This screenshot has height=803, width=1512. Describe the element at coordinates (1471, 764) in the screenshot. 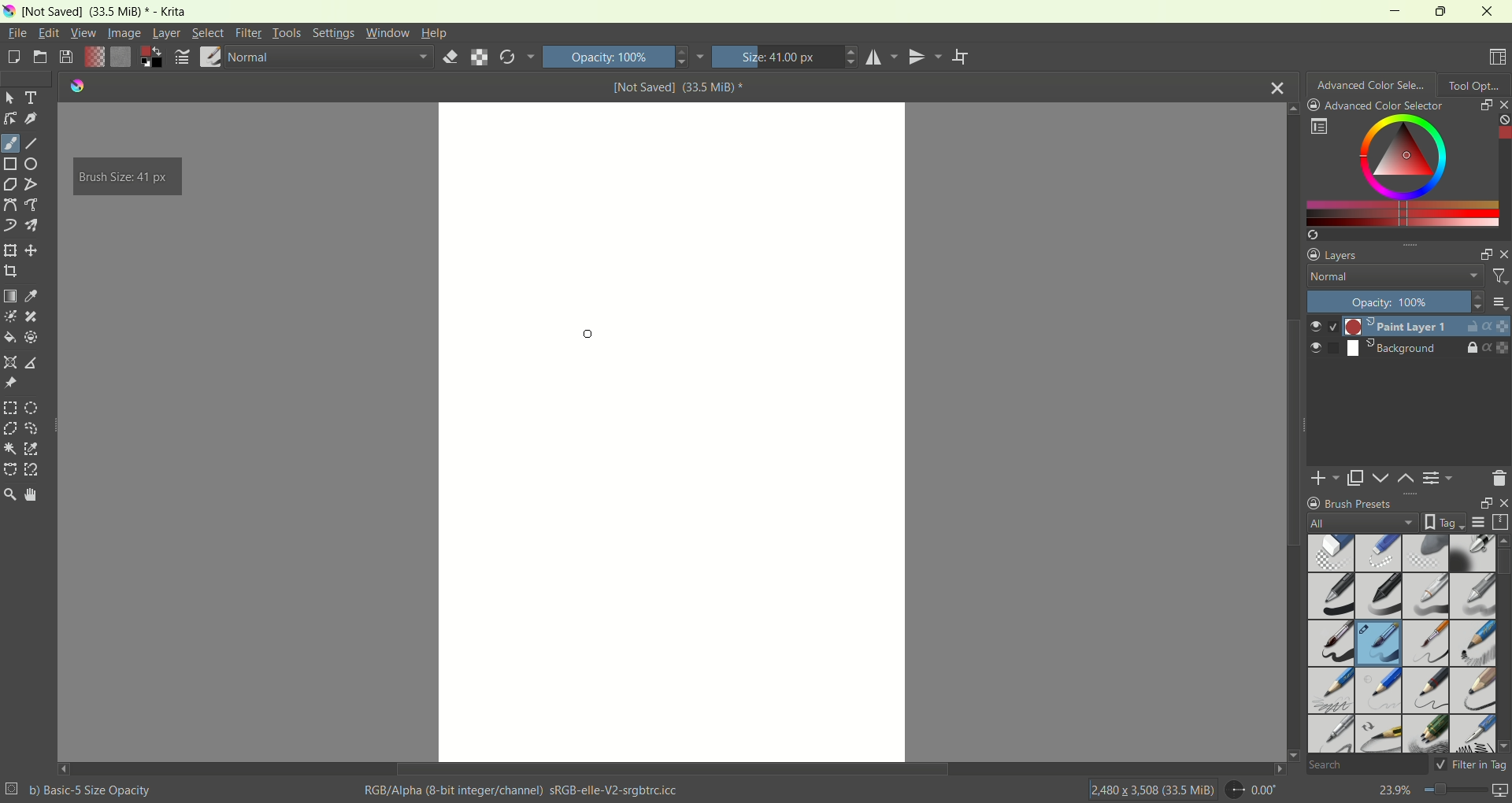

I see `filter in tag` at that location.